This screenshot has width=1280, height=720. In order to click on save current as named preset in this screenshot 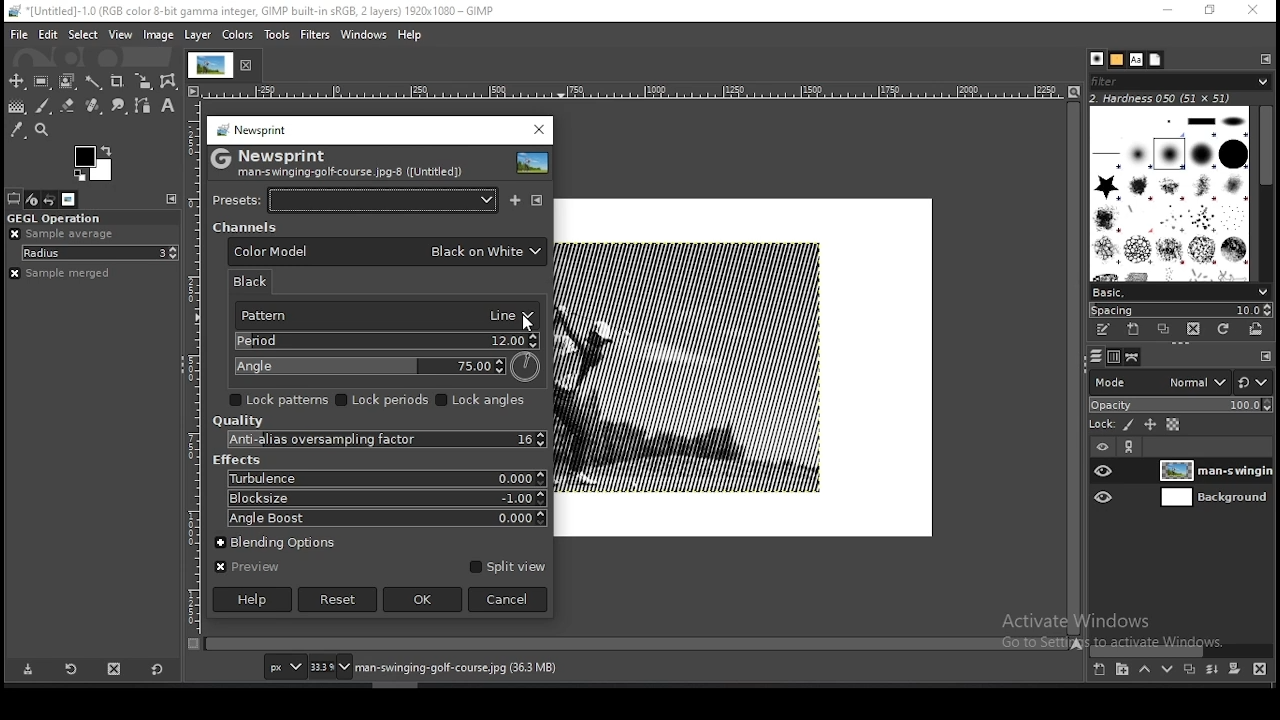, I will do `click(516, 198)`.